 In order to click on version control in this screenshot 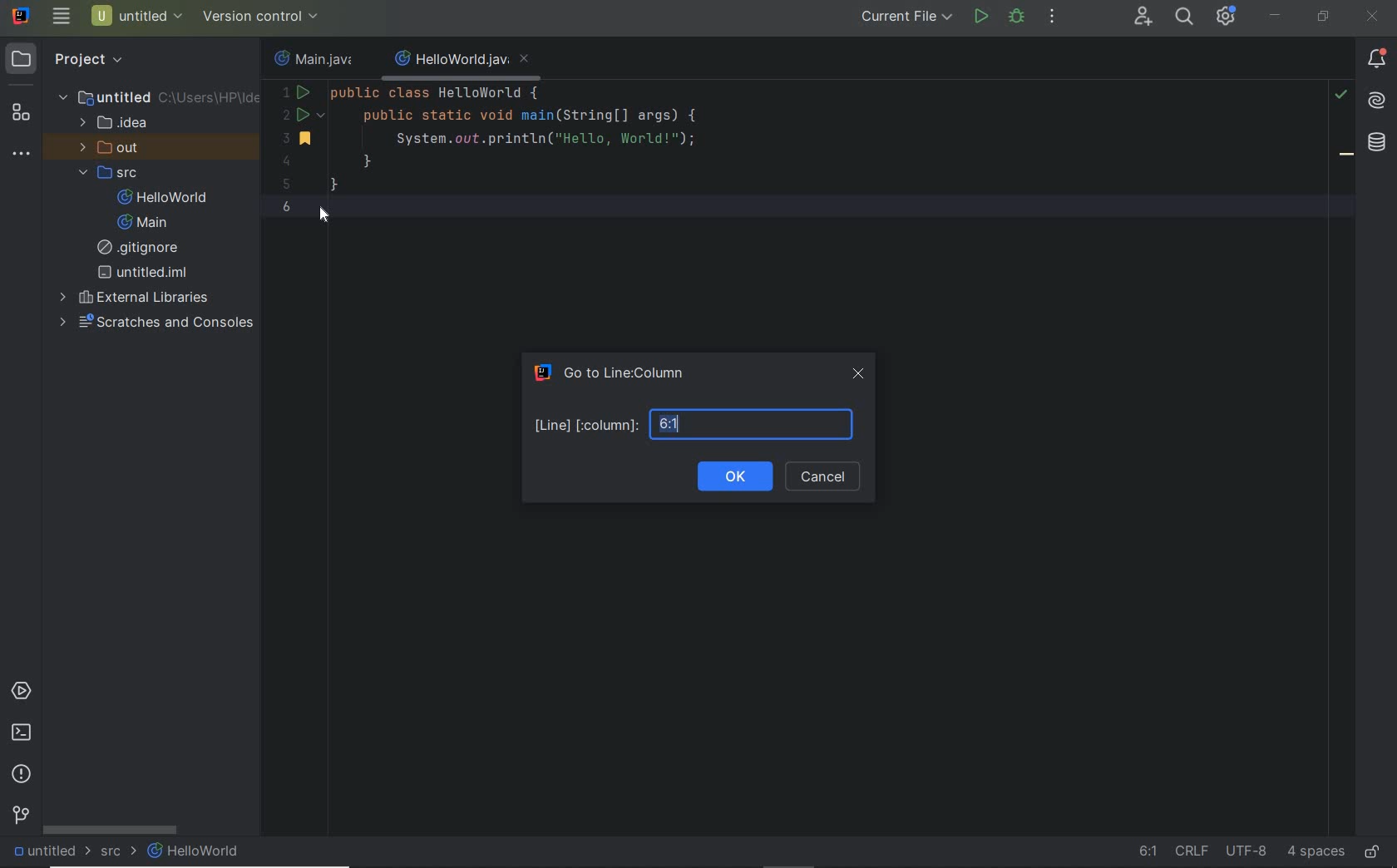, I will do `click(22, 816)`.